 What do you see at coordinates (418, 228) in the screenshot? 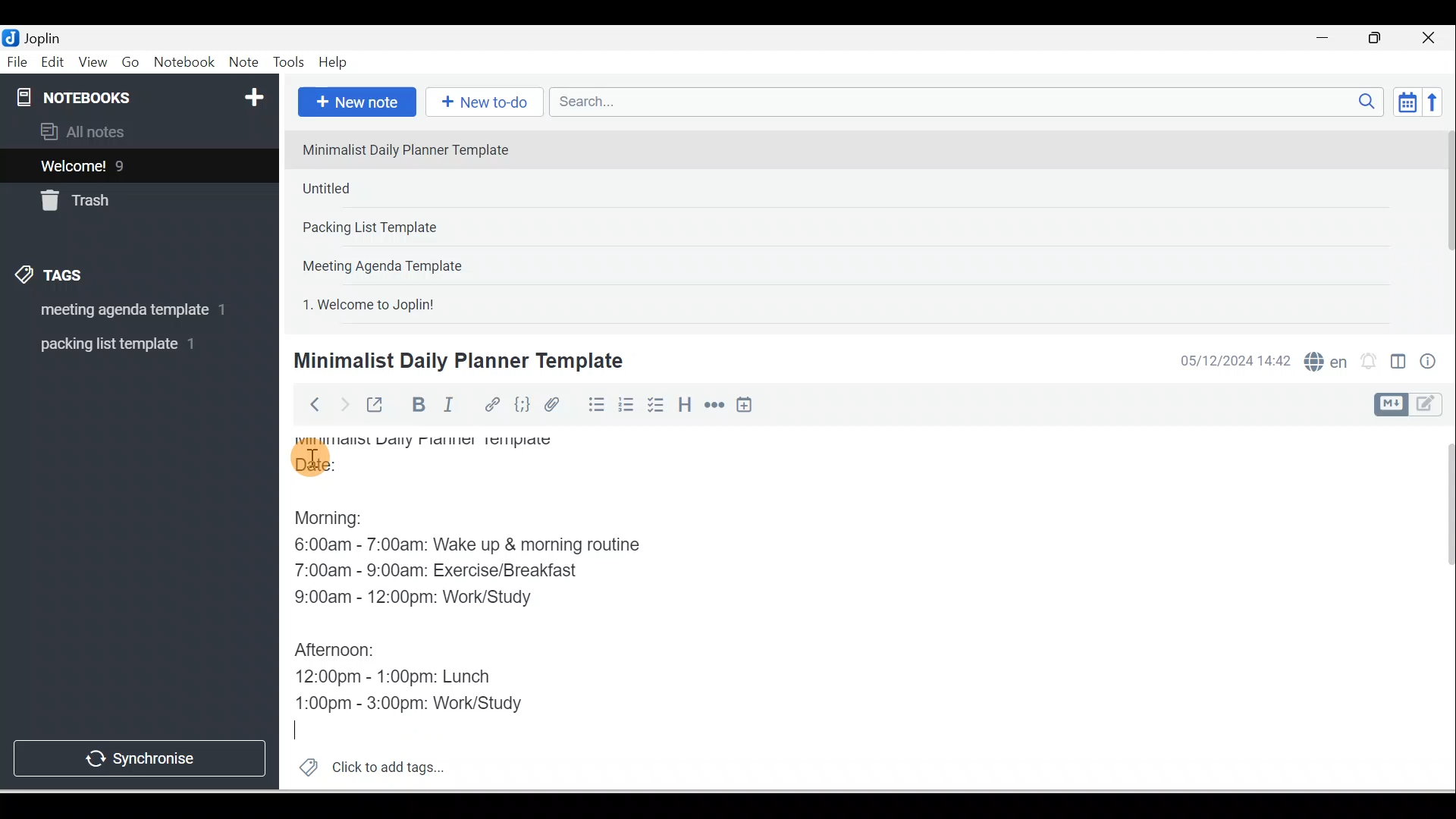
I see `Note 3` at bounding box center [418, 228].